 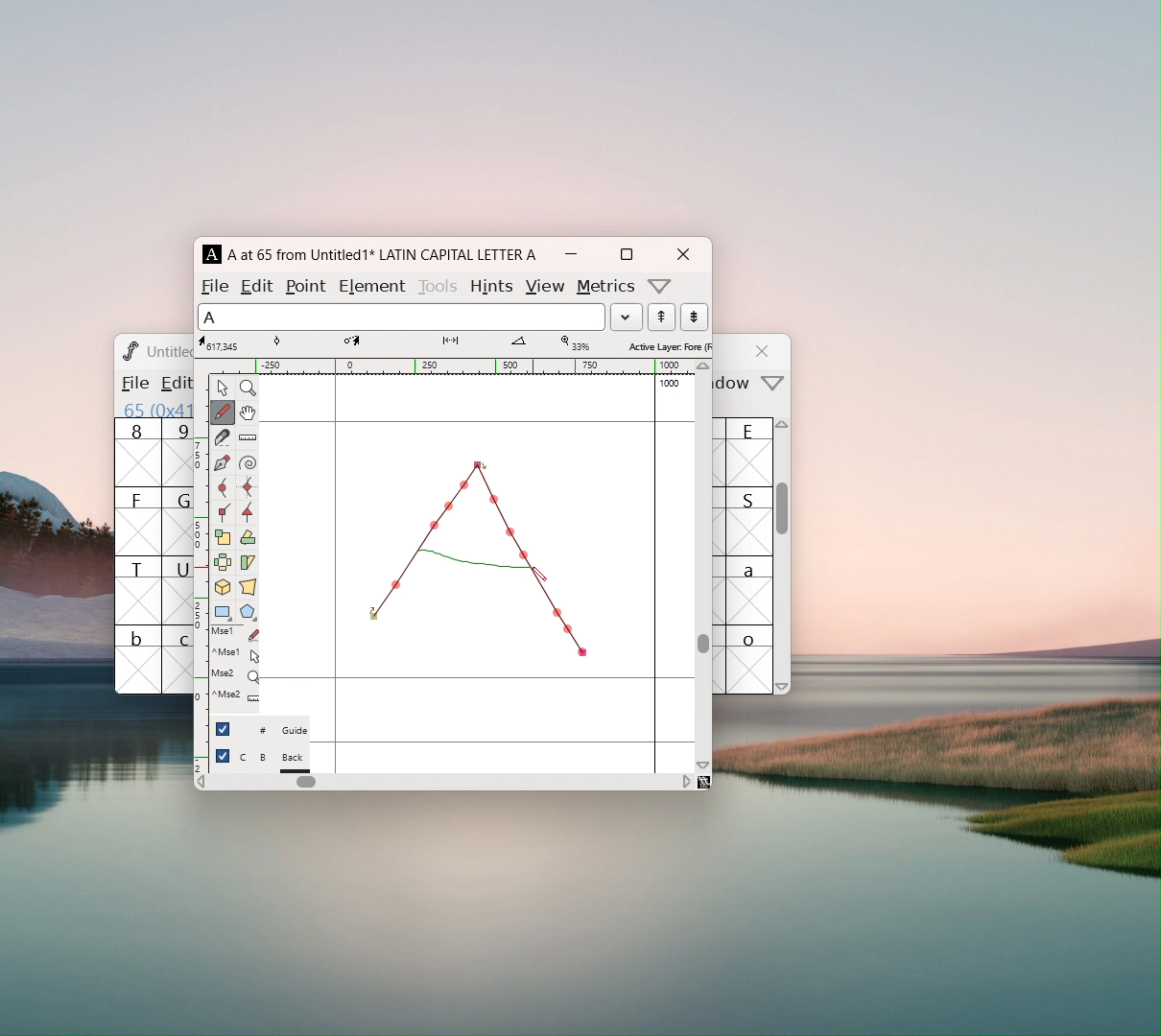 I want to click on 65 (0x41, so click(x=154, y=409).